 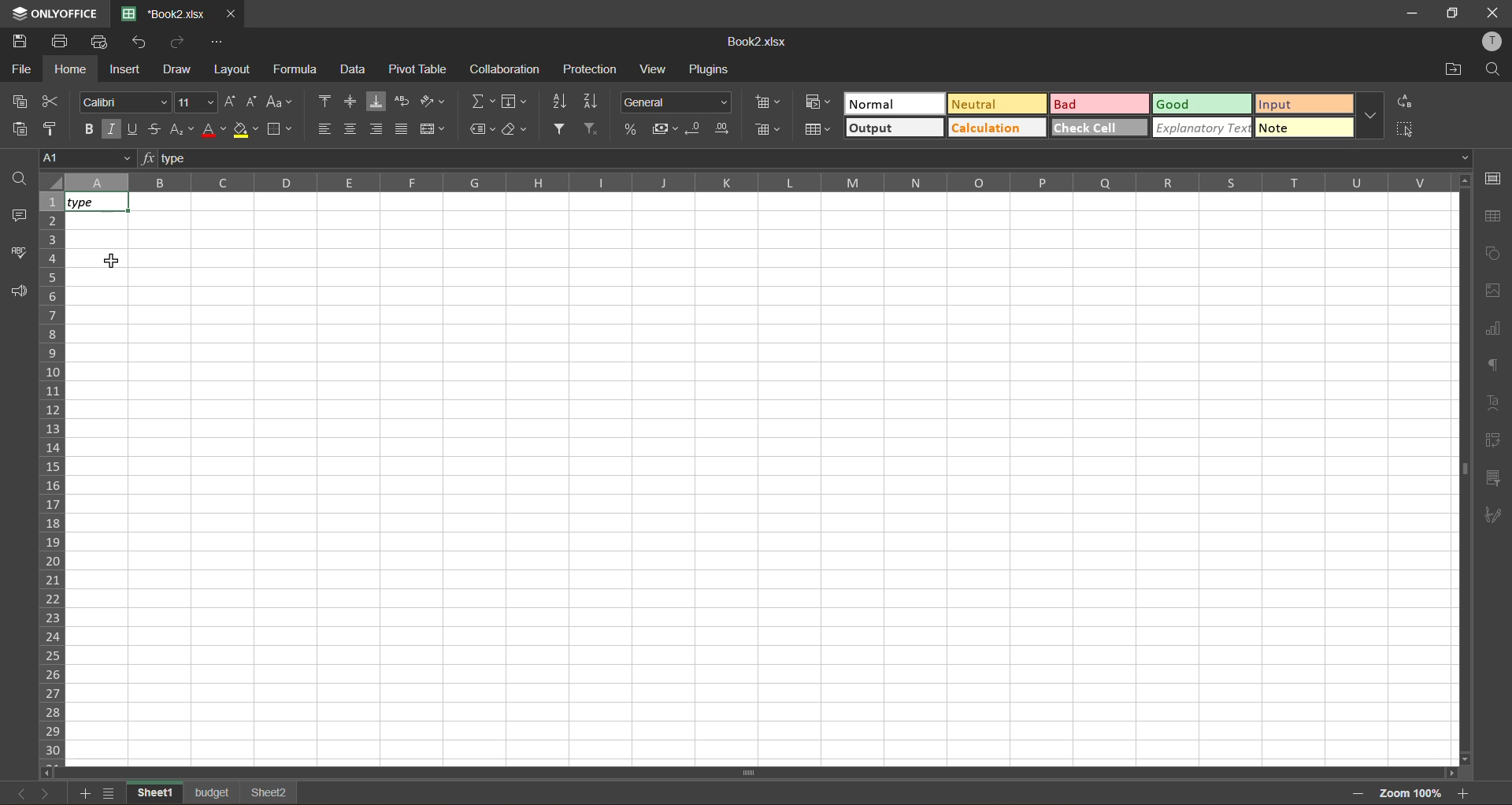 What do you see at coordinates (1495, 403) in the screenshot?
I see `text` at bounding box center [1495, 403].